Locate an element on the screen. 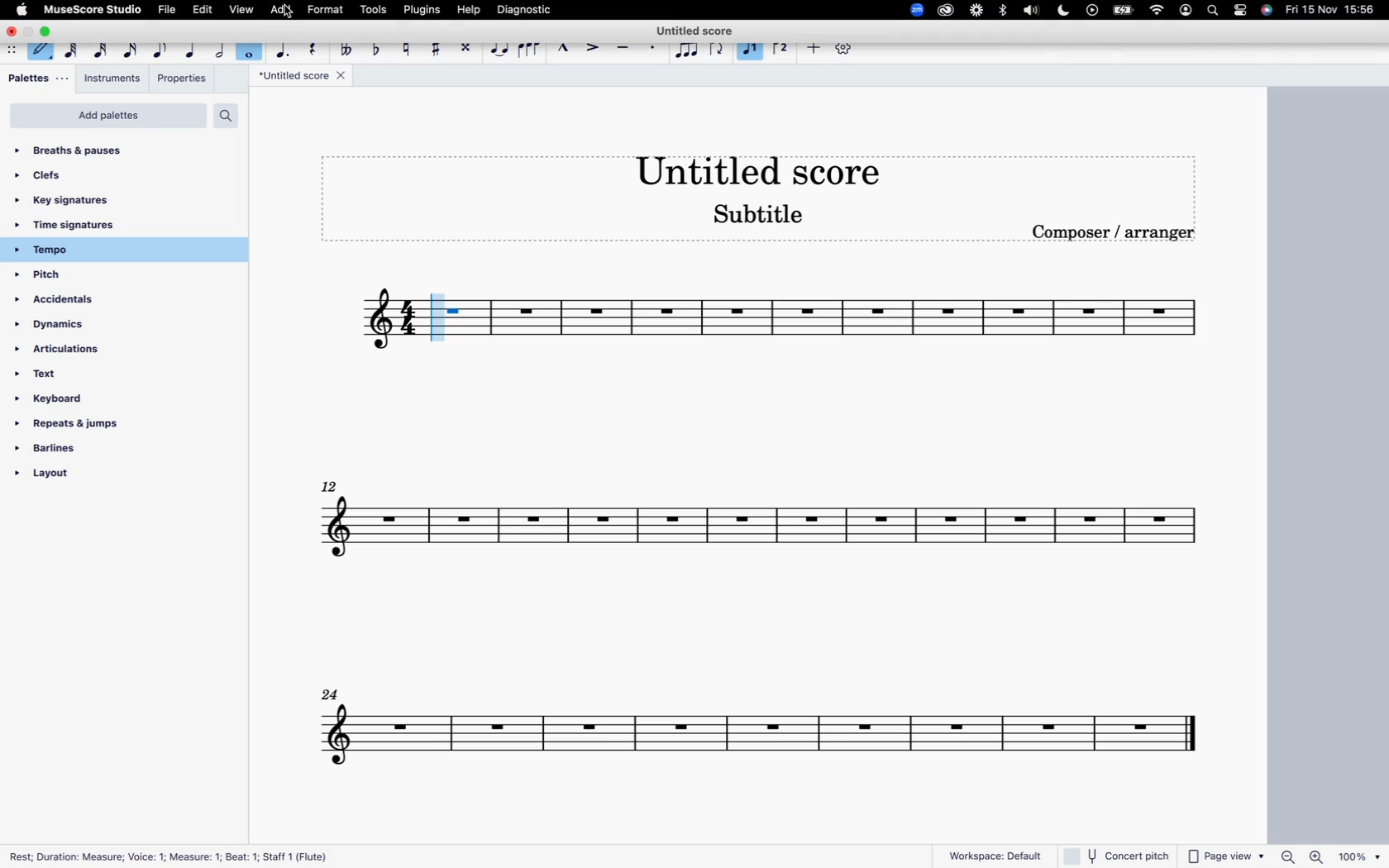  time signatures is located at coordinates (118, 225).